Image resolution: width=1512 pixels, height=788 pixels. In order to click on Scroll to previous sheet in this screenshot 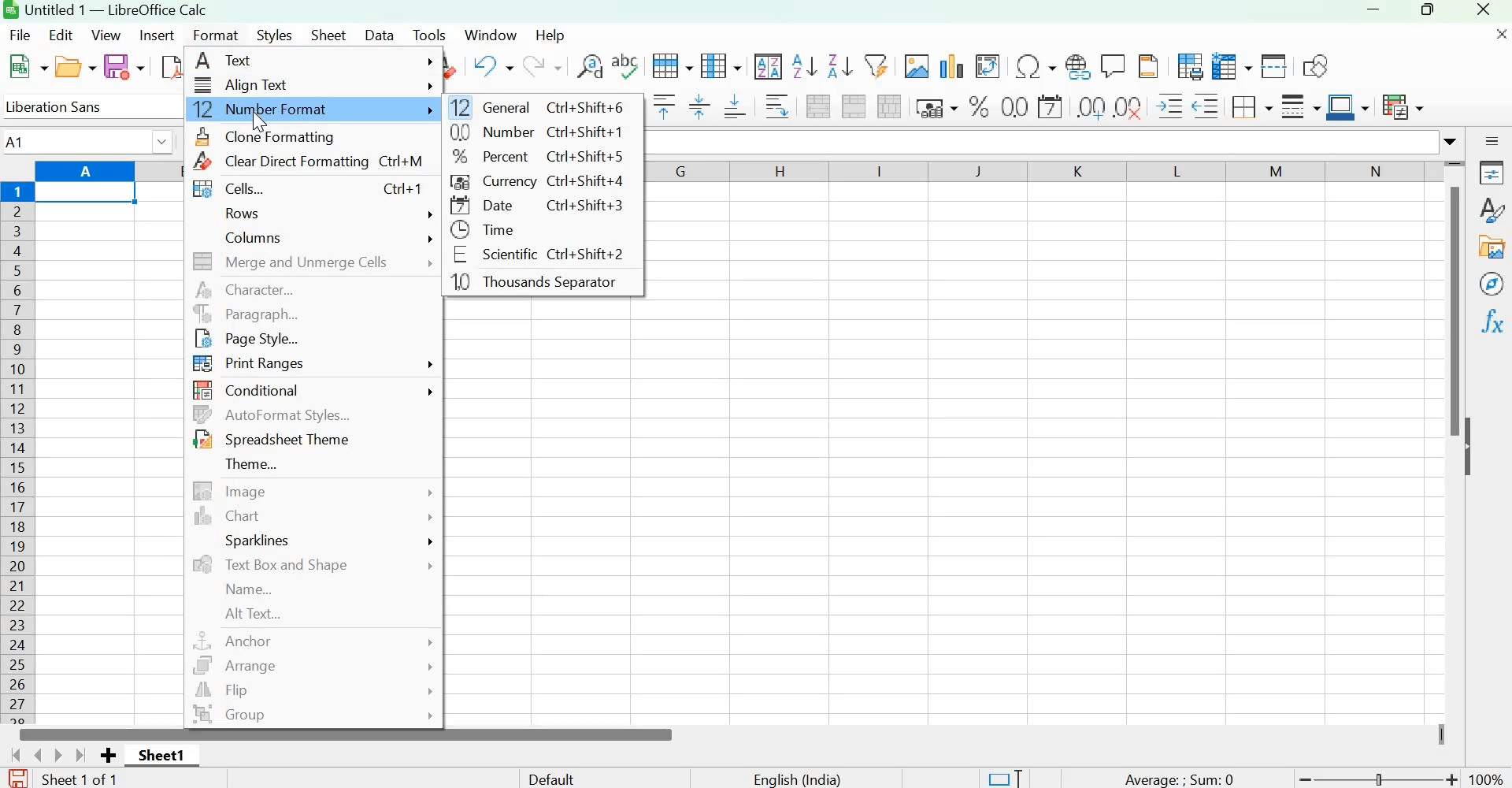, I will do `click(36, 753)`.